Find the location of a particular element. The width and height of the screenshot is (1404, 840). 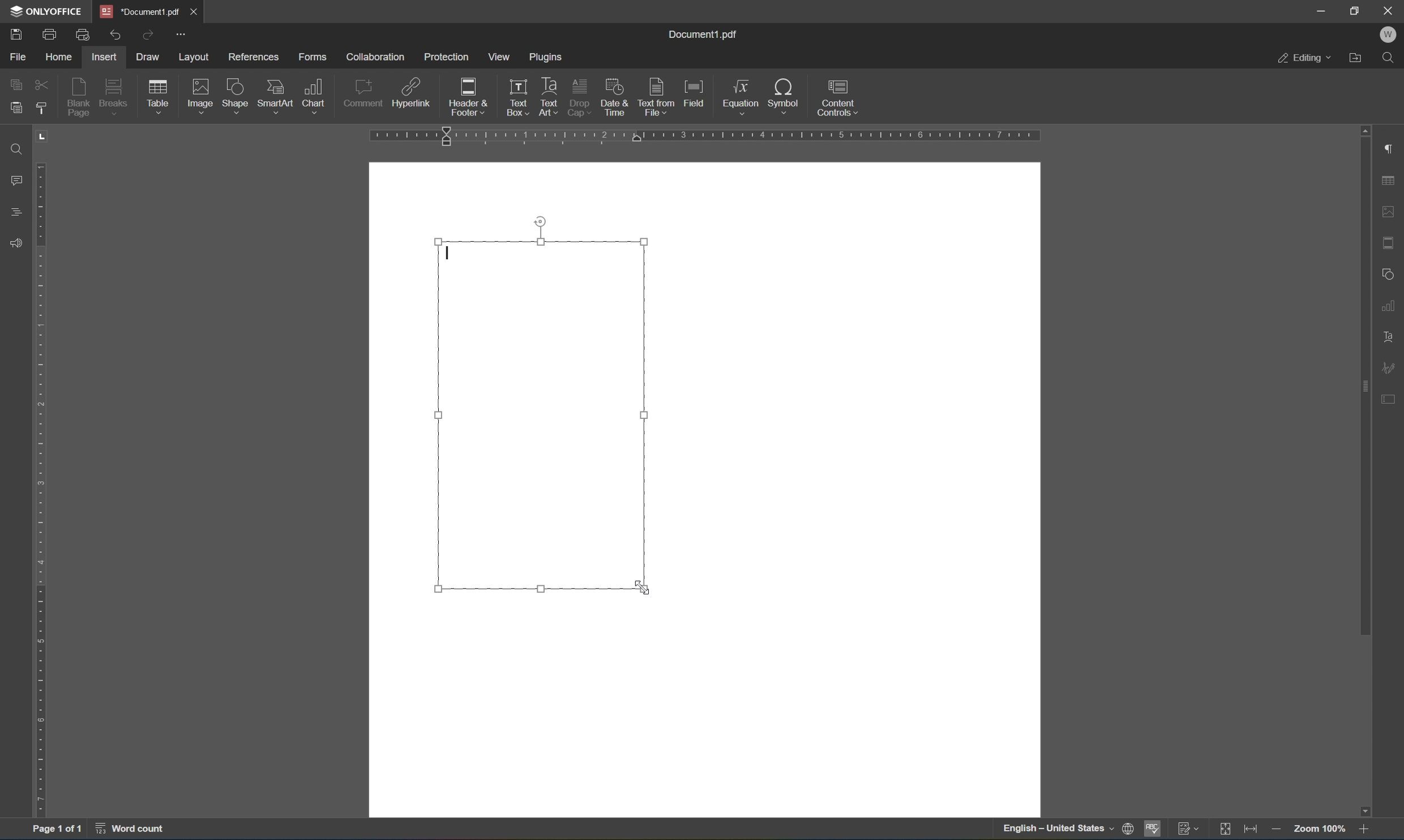

More is located at coordinates (181, 33).